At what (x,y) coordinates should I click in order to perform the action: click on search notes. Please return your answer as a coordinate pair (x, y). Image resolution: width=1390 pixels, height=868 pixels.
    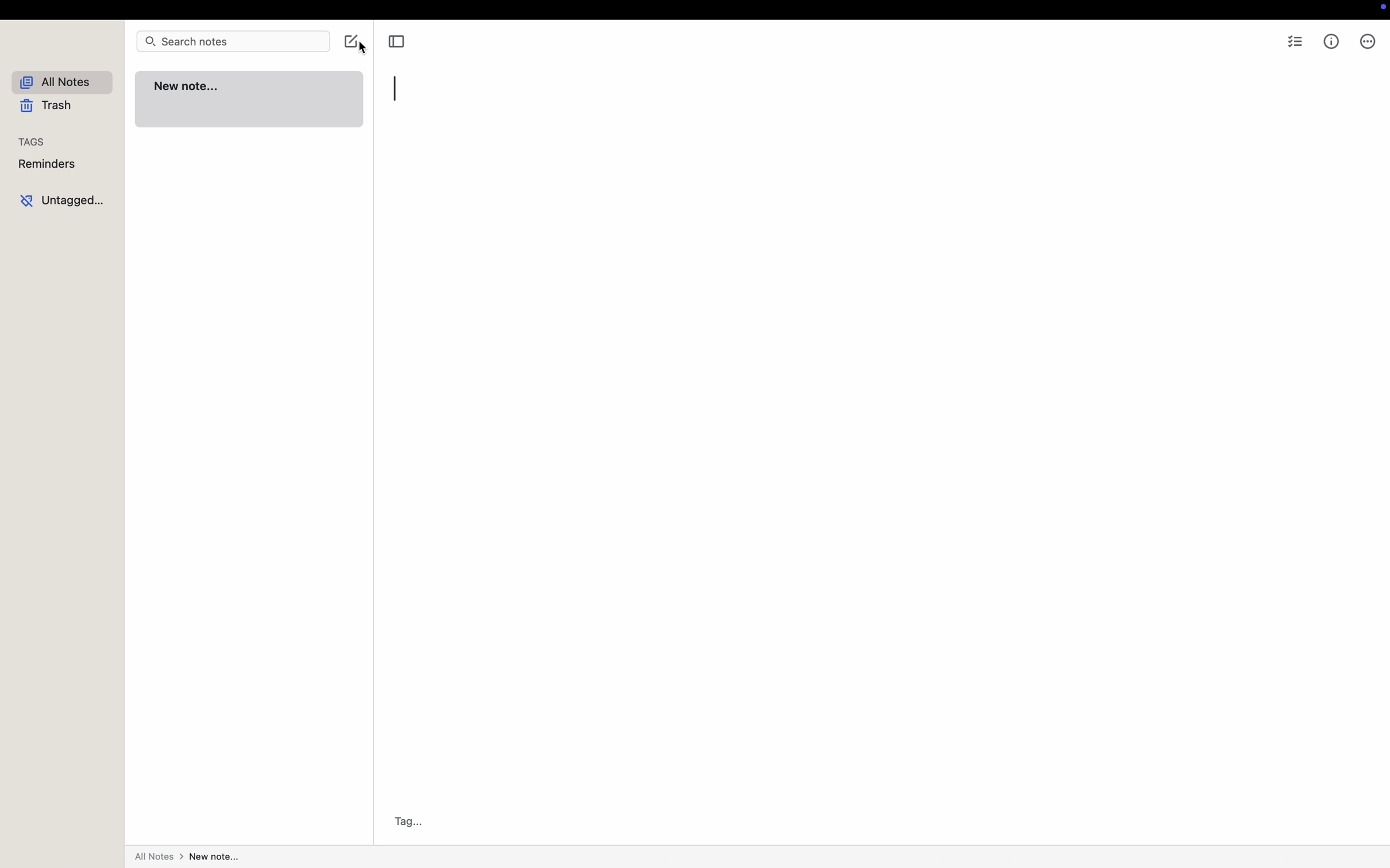
    Looking at the image, I should click on (233, 42).